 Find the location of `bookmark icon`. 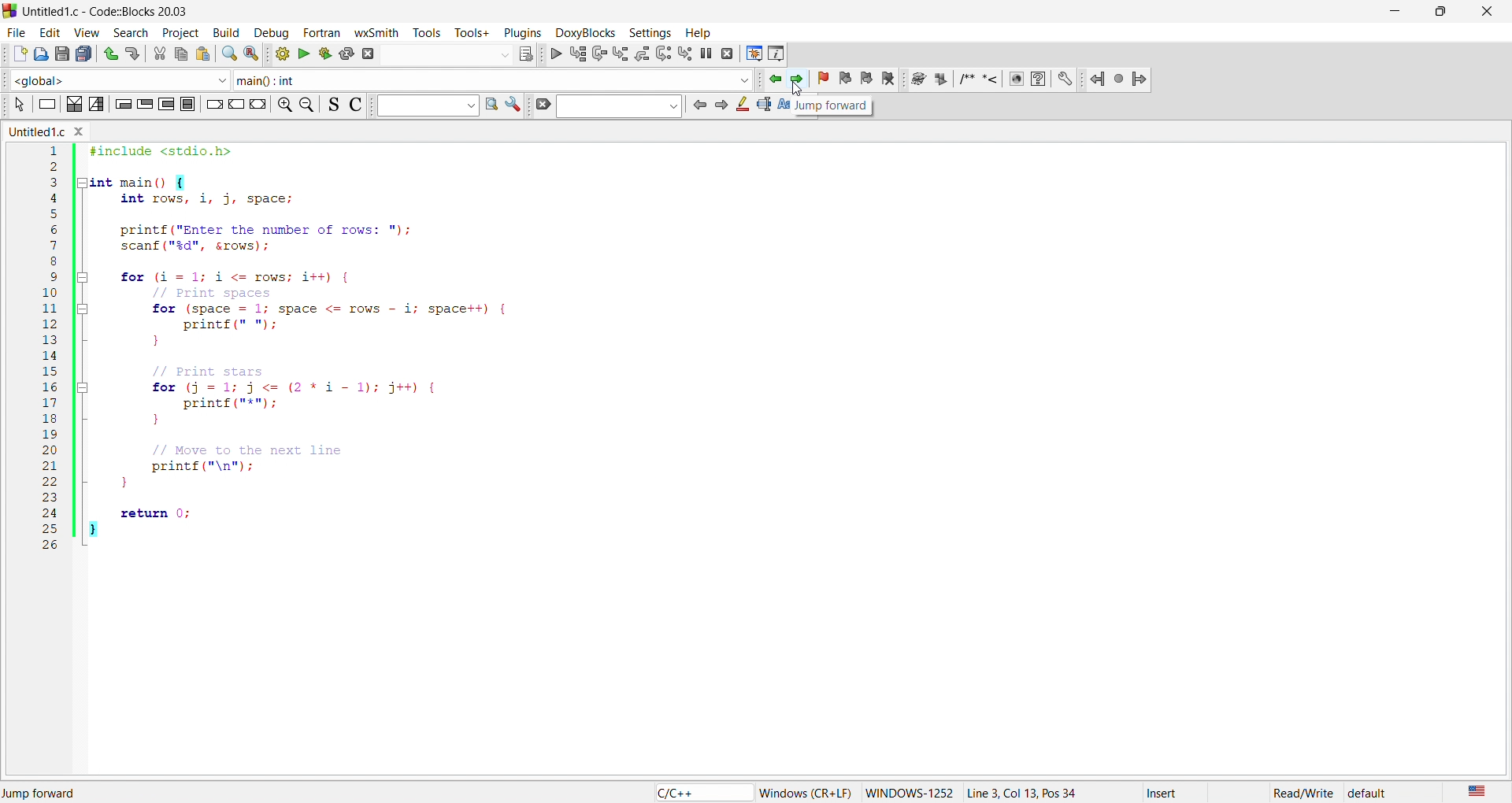

bookmark icon is located at coordinates (854, 79).